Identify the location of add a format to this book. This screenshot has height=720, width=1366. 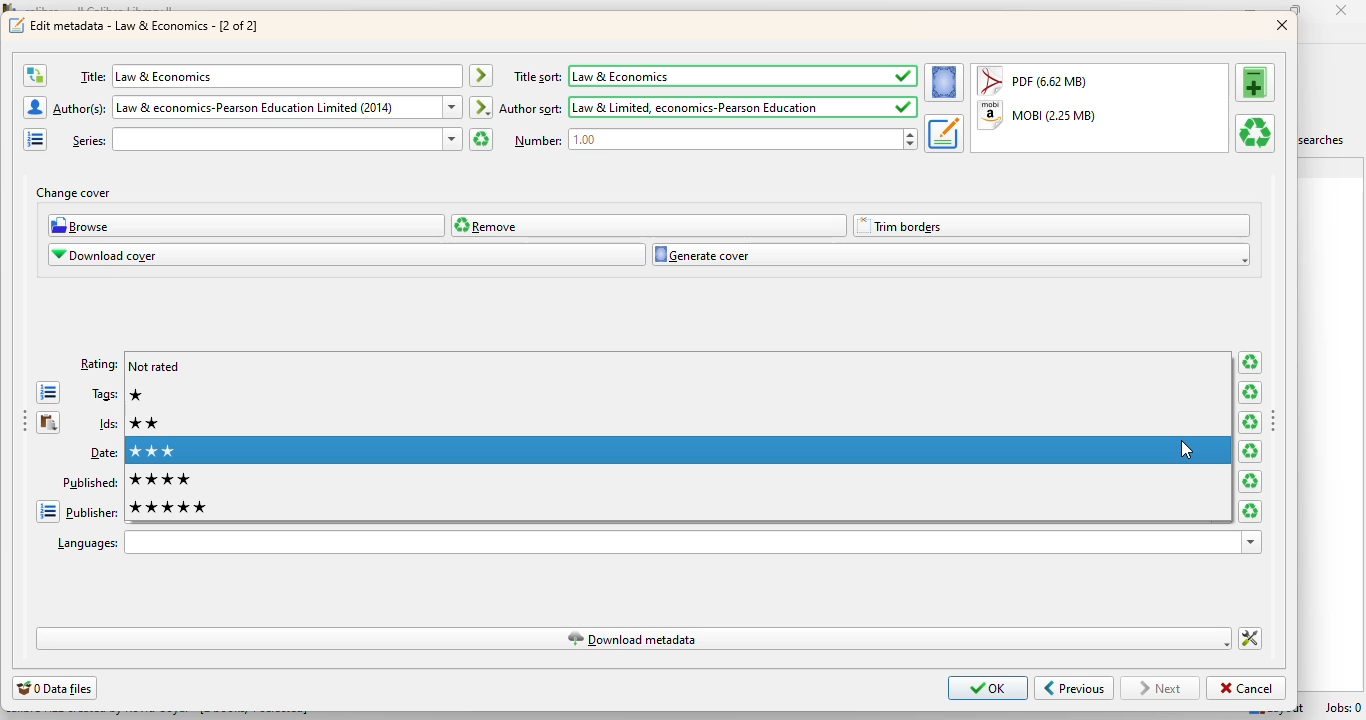
(1256, 81).